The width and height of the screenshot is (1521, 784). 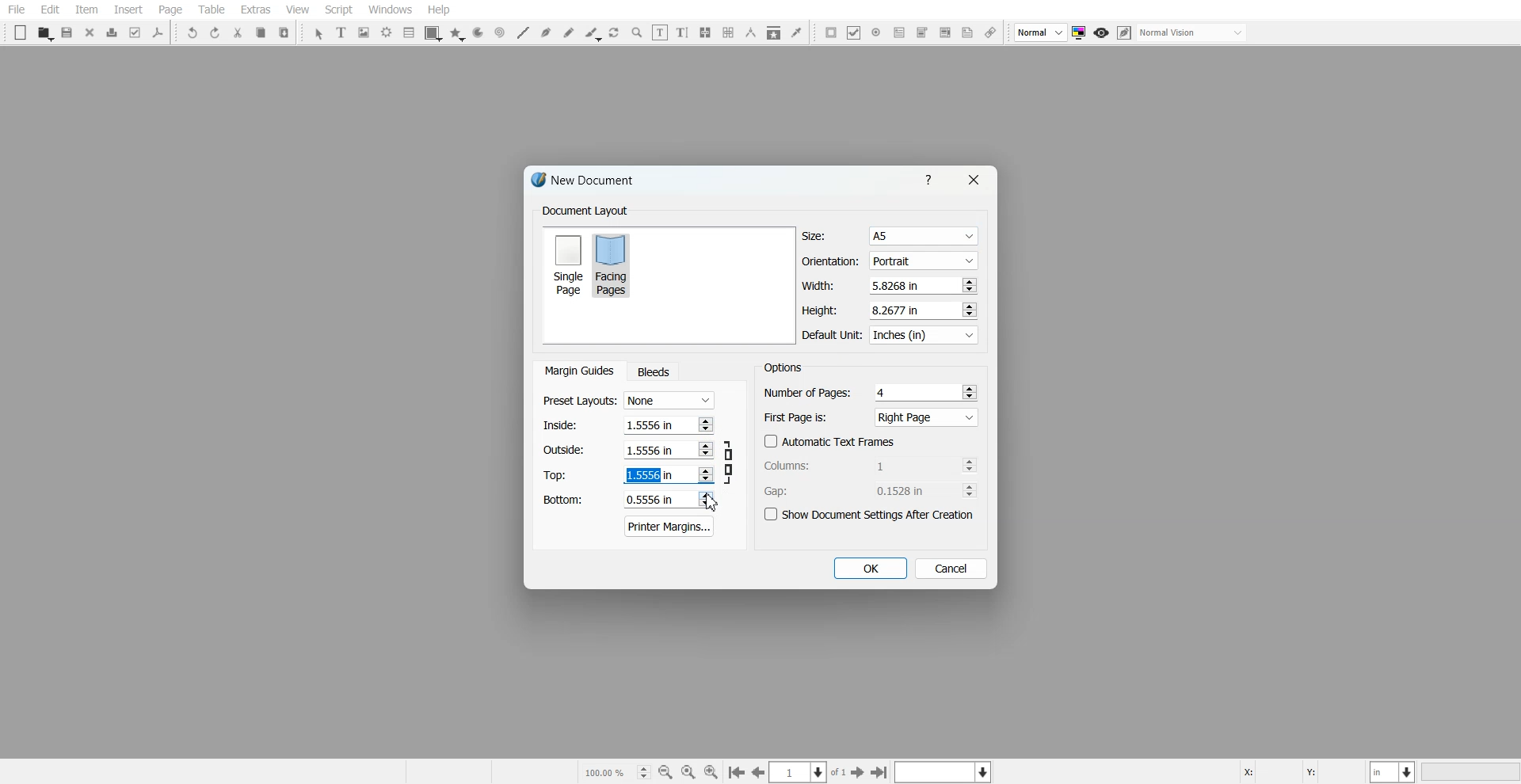 What do you see at coordinates (1081, 33) in the screenshot?
I see `Toggle color ` at bounding box center [1081, 33].